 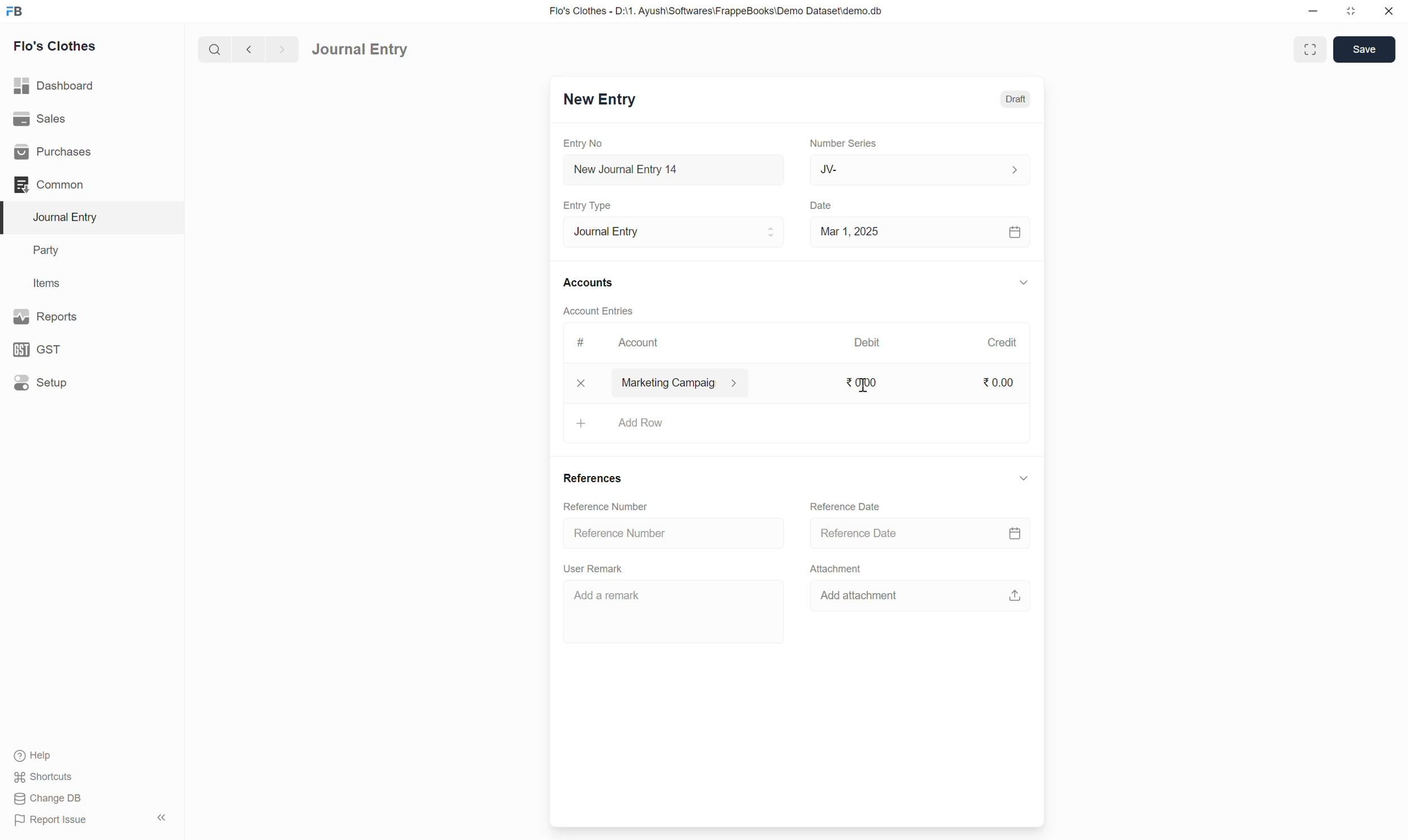 I want to click on search, so click(x=213, y=49).